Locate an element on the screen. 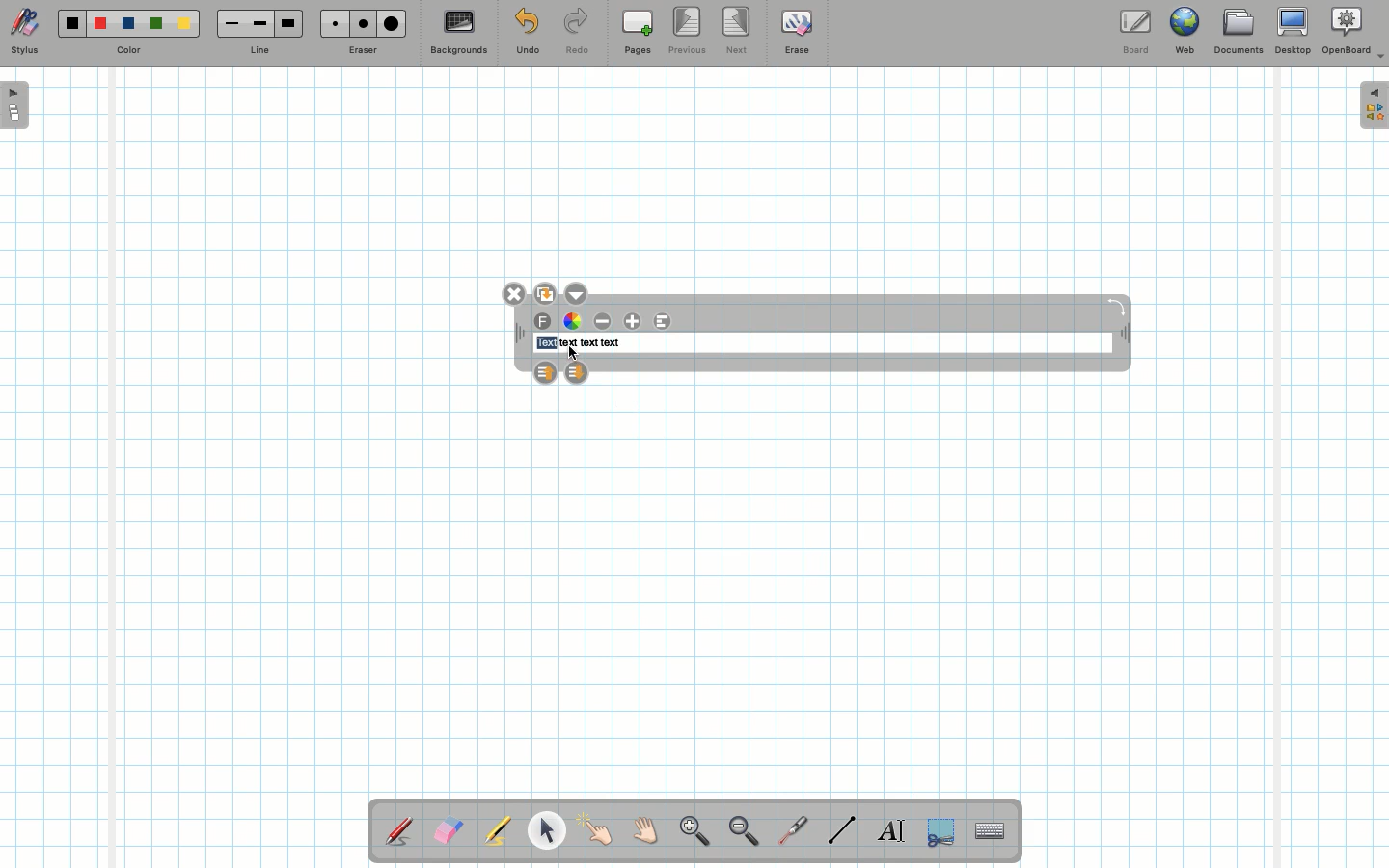 The image size is (1389, 868). Highlighter is located at coordinates (496, 832).